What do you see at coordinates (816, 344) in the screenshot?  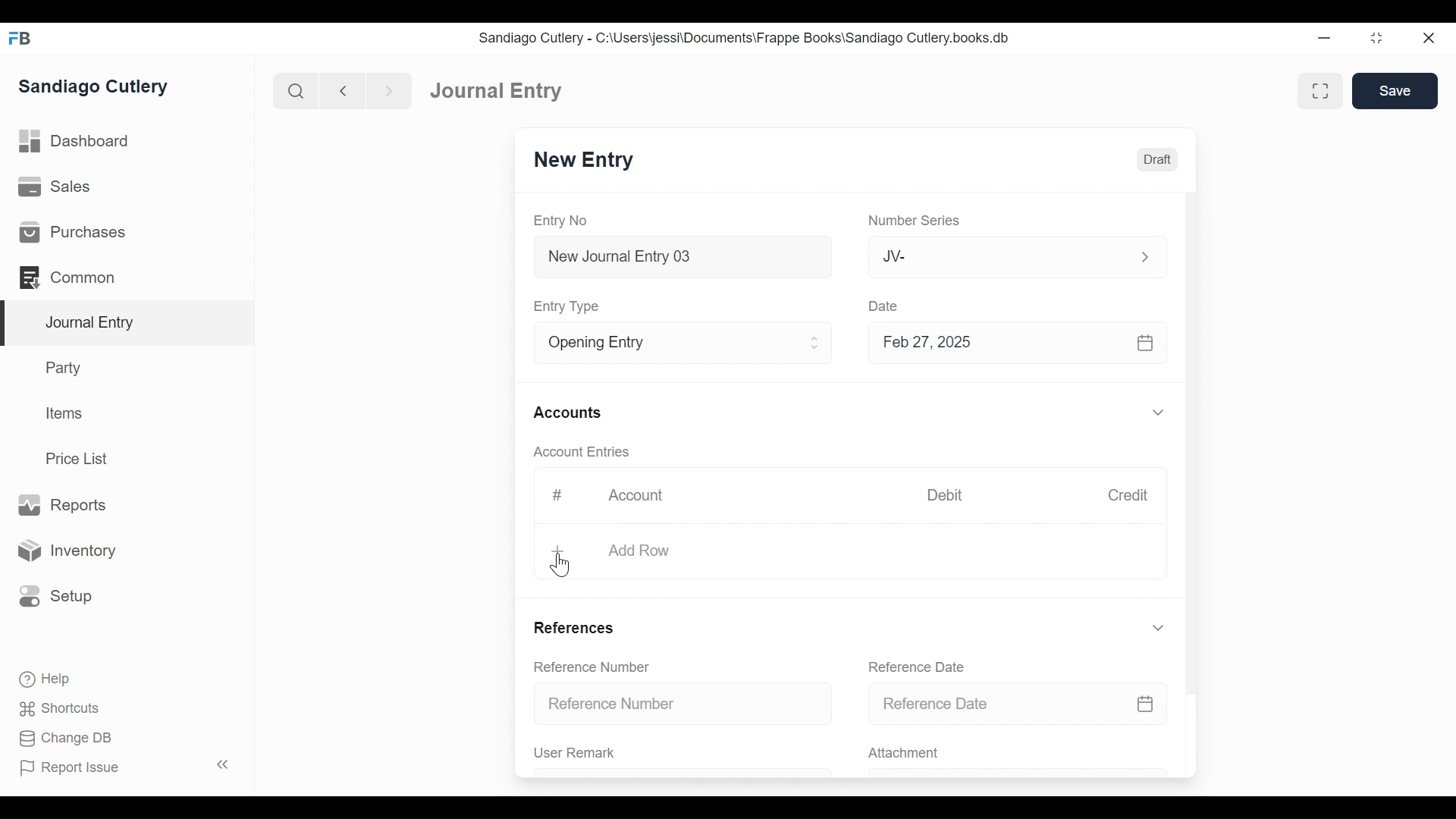 I see `Expand` at bounding box center [816, 344].